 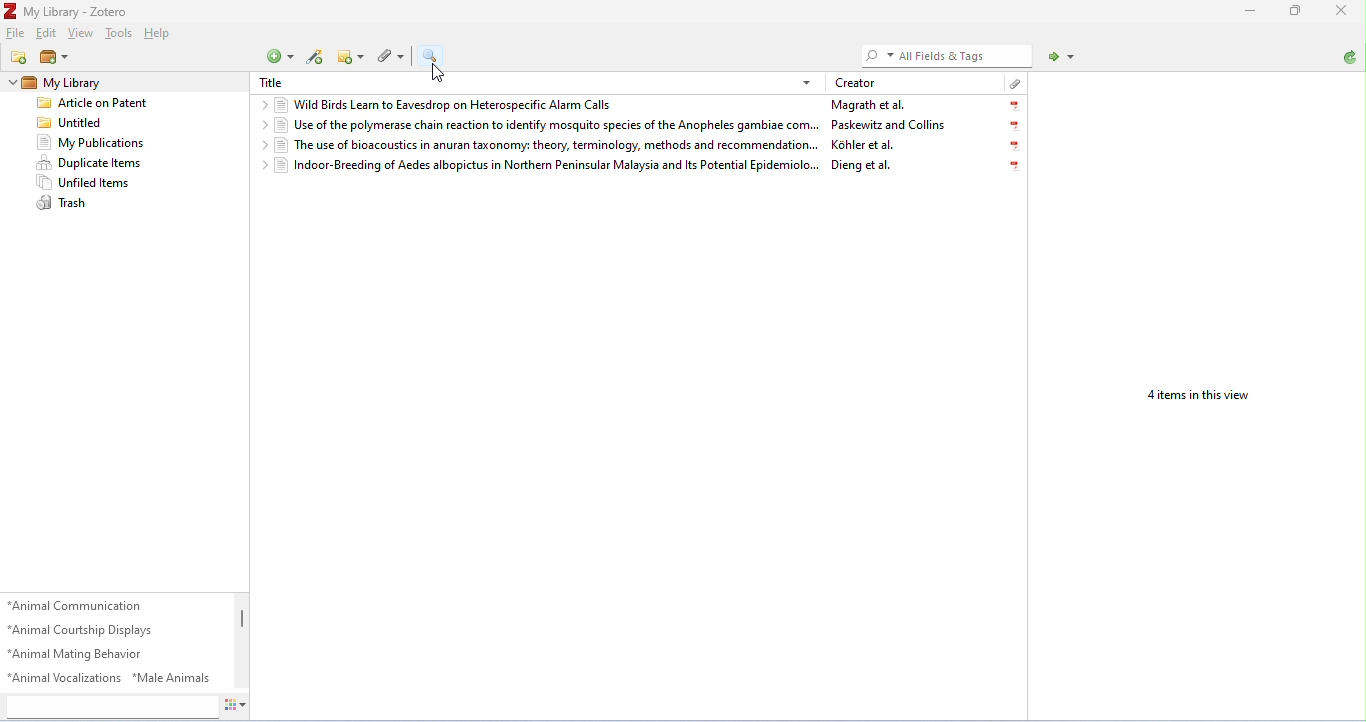 I want to click on search tags, so click(x=110, y=705).